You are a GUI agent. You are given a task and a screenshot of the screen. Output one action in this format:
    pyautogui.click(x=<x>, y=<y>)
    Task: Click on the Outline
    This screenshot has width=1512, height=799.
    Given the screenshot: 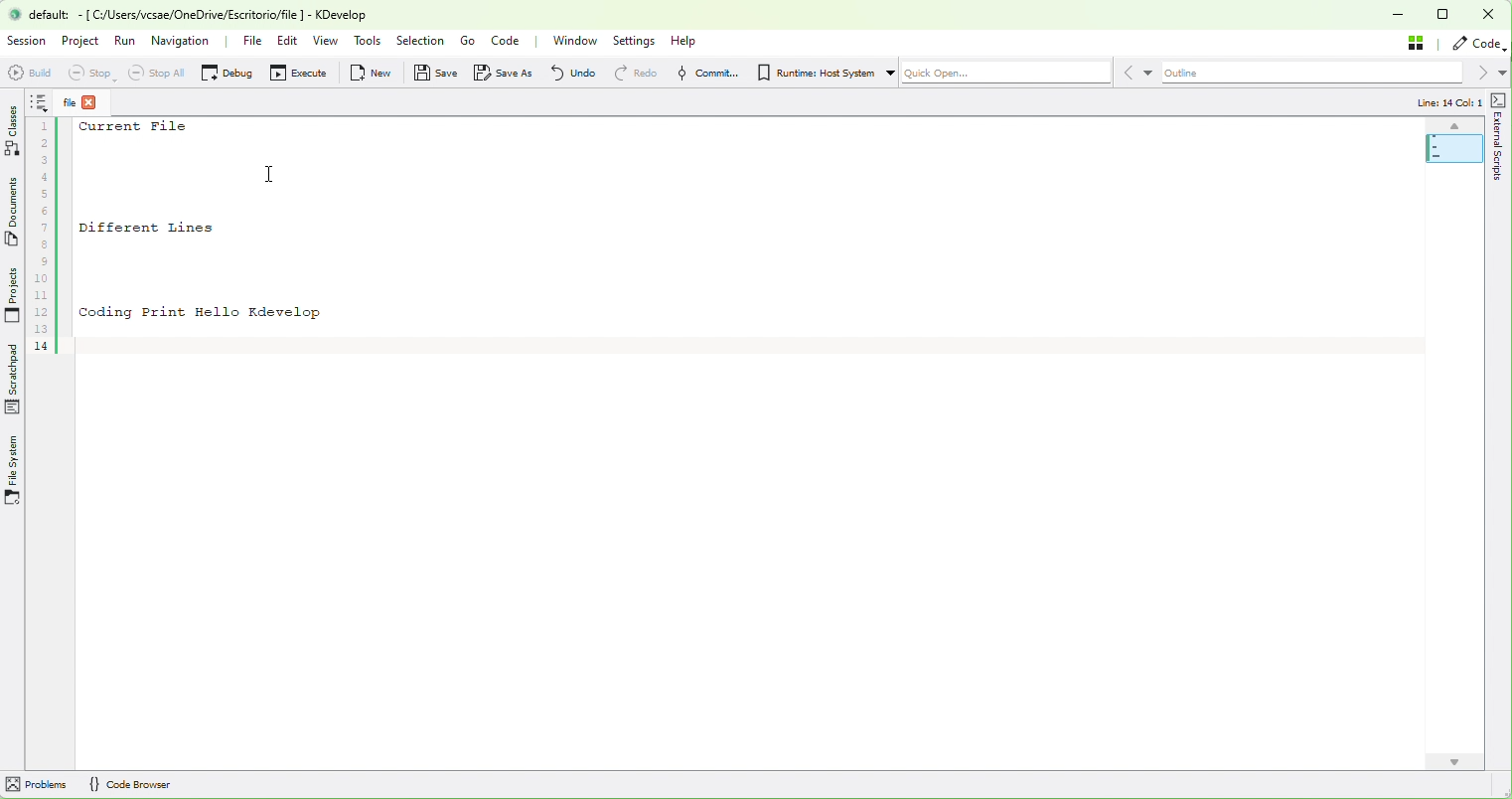 What is the action you would take?
    pyautogui.click(x=1334, y=73)
    